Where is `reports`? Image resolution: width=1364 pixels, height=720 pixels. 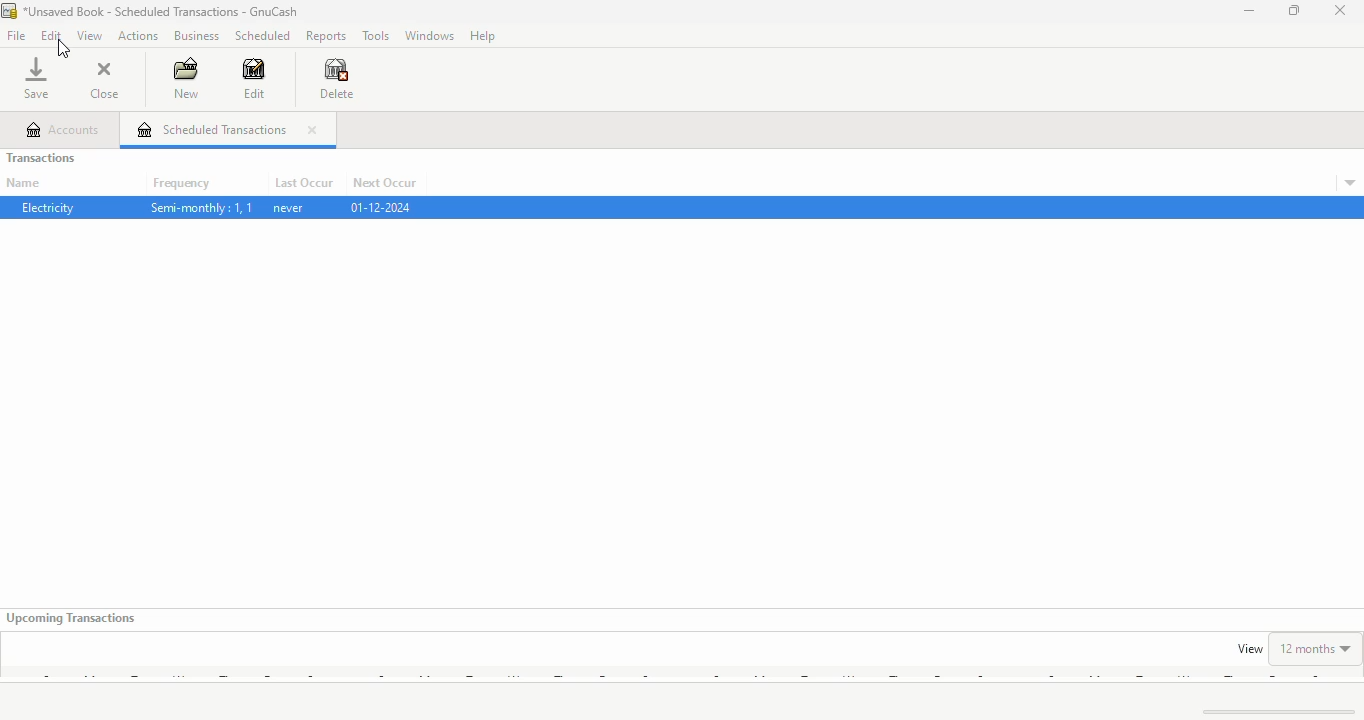 reports is located at coordinates (326, 37).